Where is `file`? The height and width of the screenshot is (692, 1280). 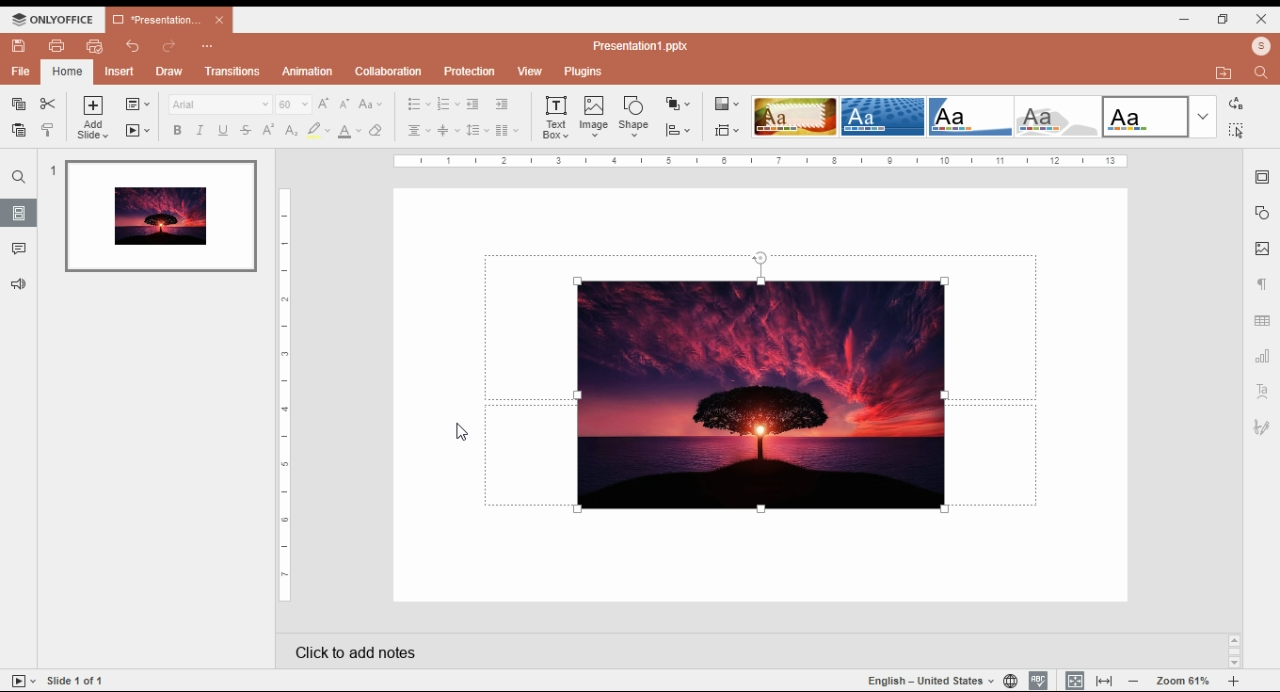
file is located at coordinates (22, 72).